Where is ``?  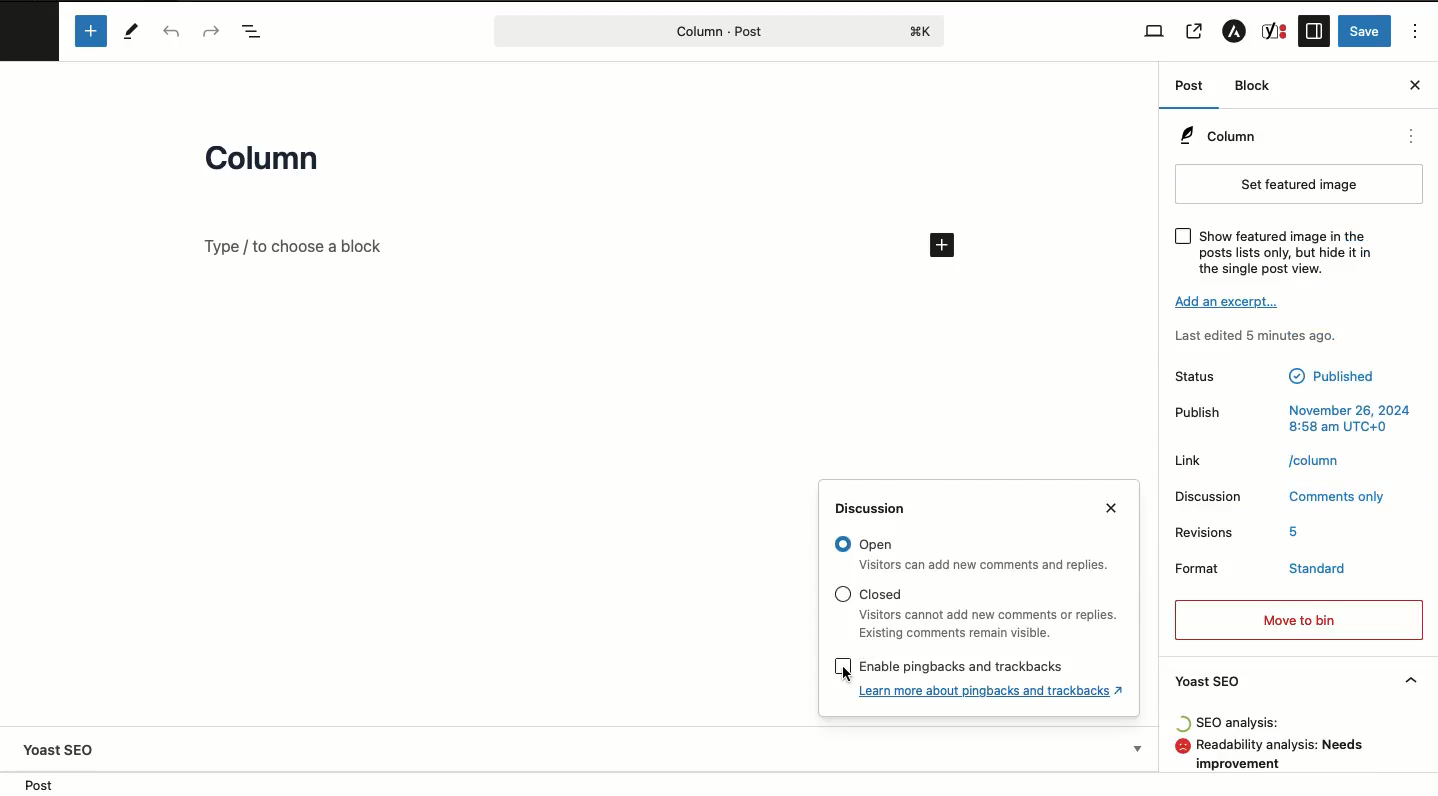  is located at coordinates (964, 666).